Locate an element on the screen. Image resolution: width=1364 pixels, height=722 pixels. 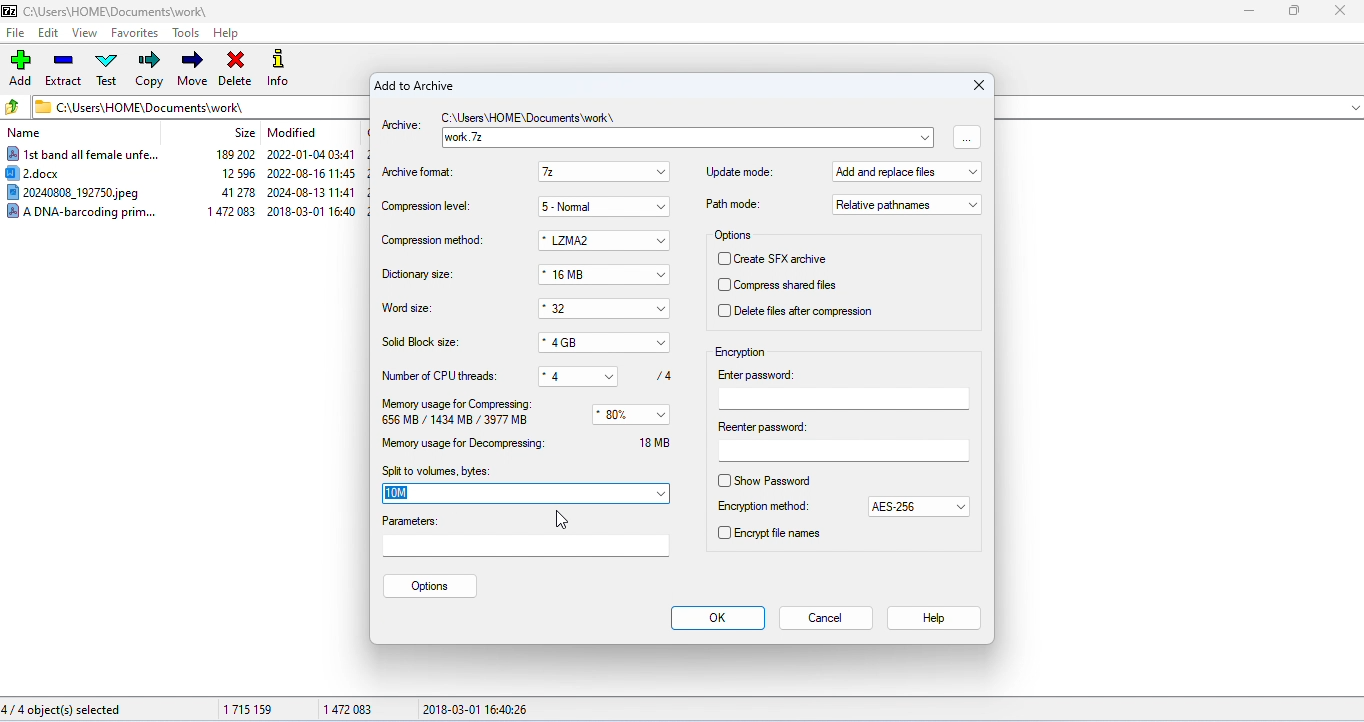
drop down is located at coordinates (926, 136).